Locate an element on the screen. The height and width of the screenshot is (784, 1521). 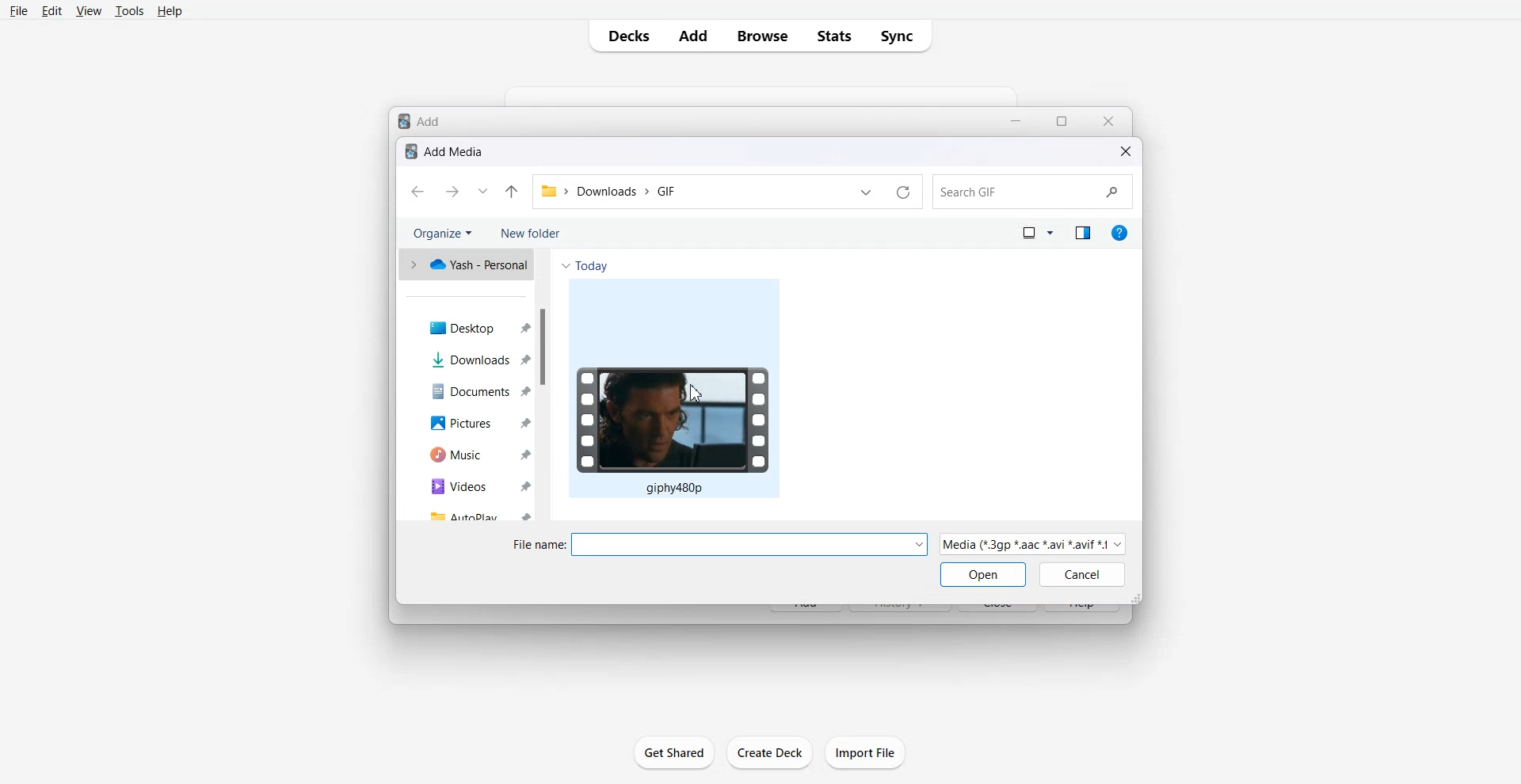
Help is located at coordinates (169, 12).